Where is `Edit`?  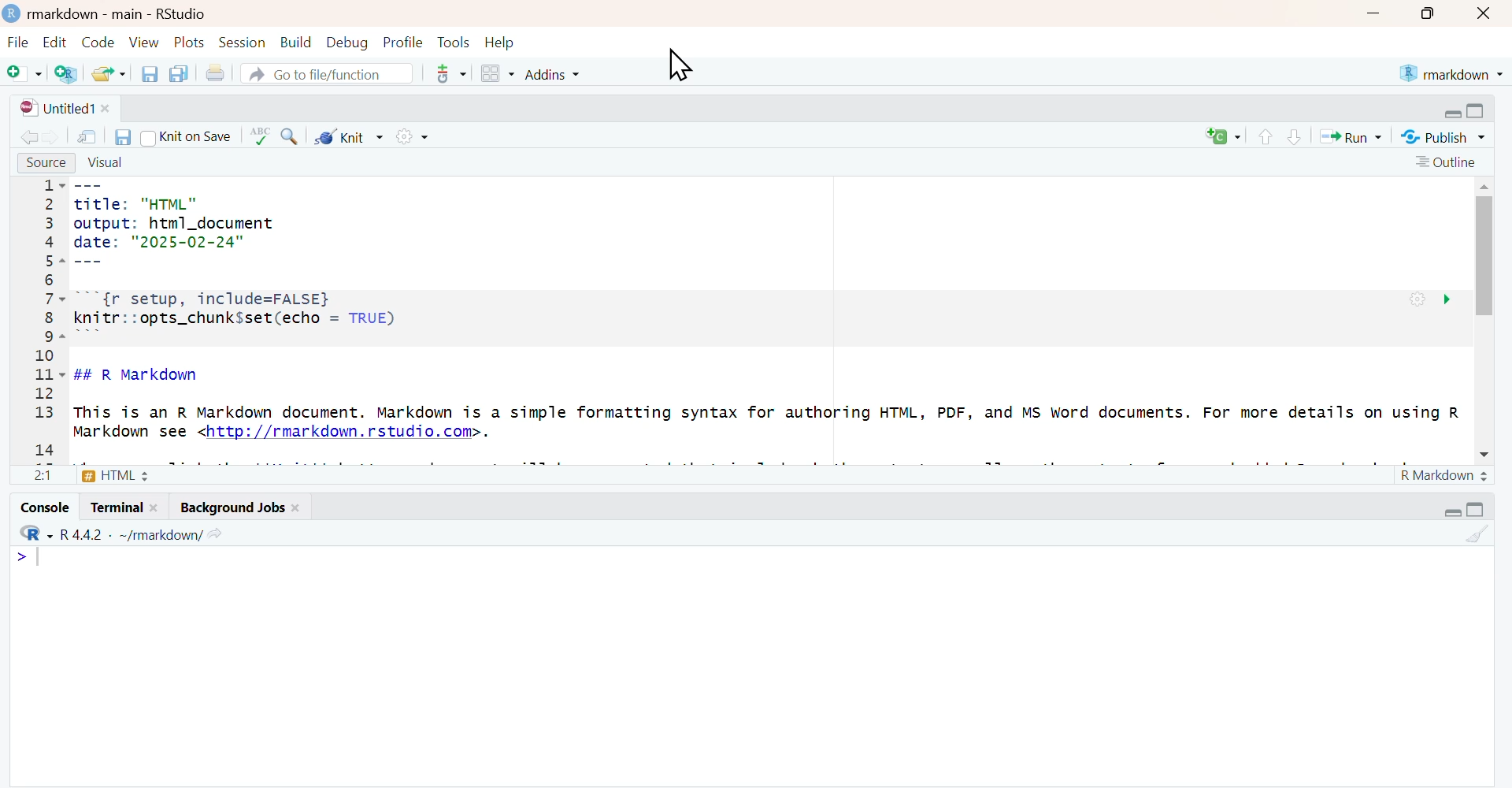 Edit is located at coordinates (54, 43).